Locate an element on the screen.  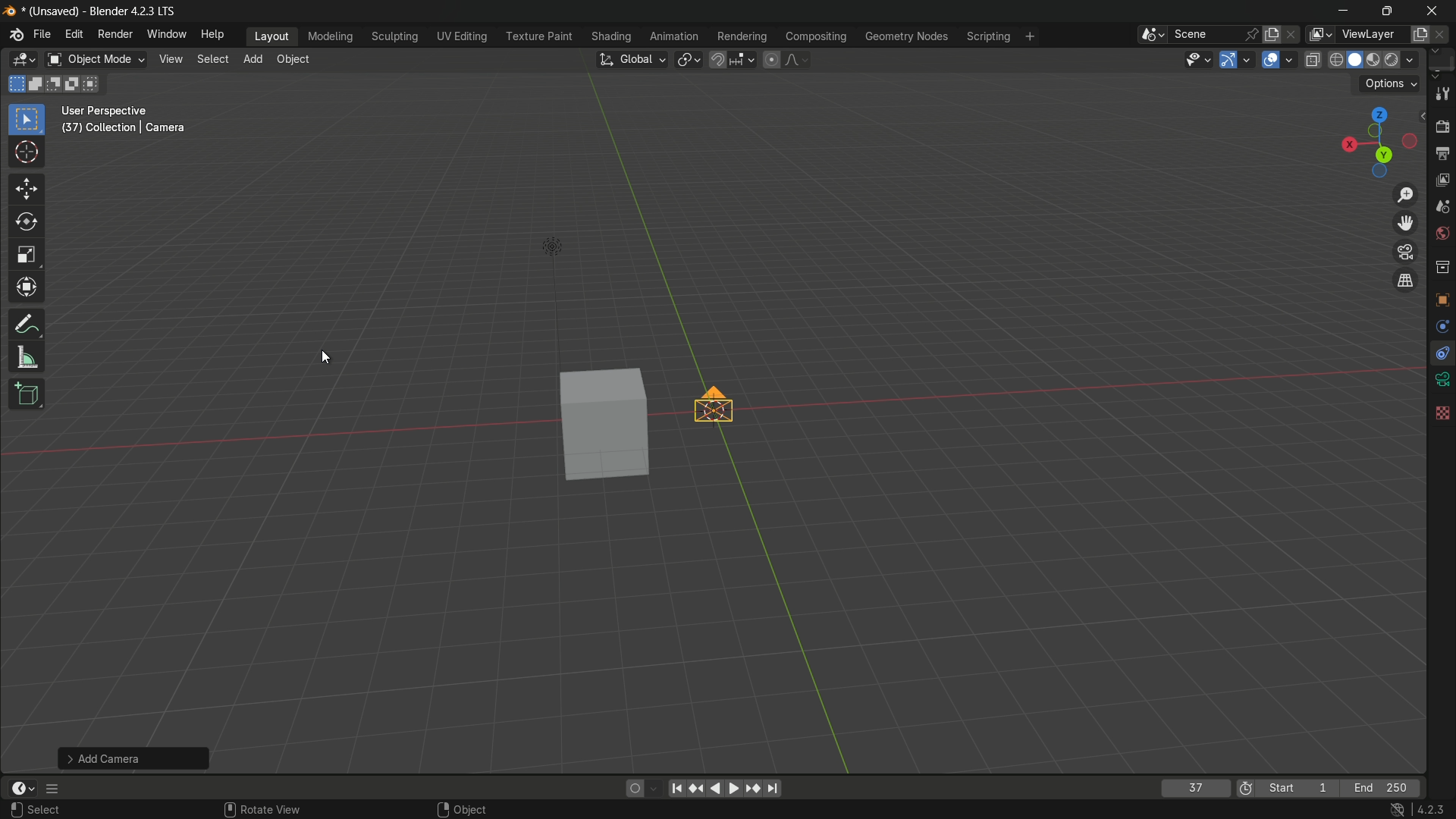
edit menu is located at coordinates (73, 36).